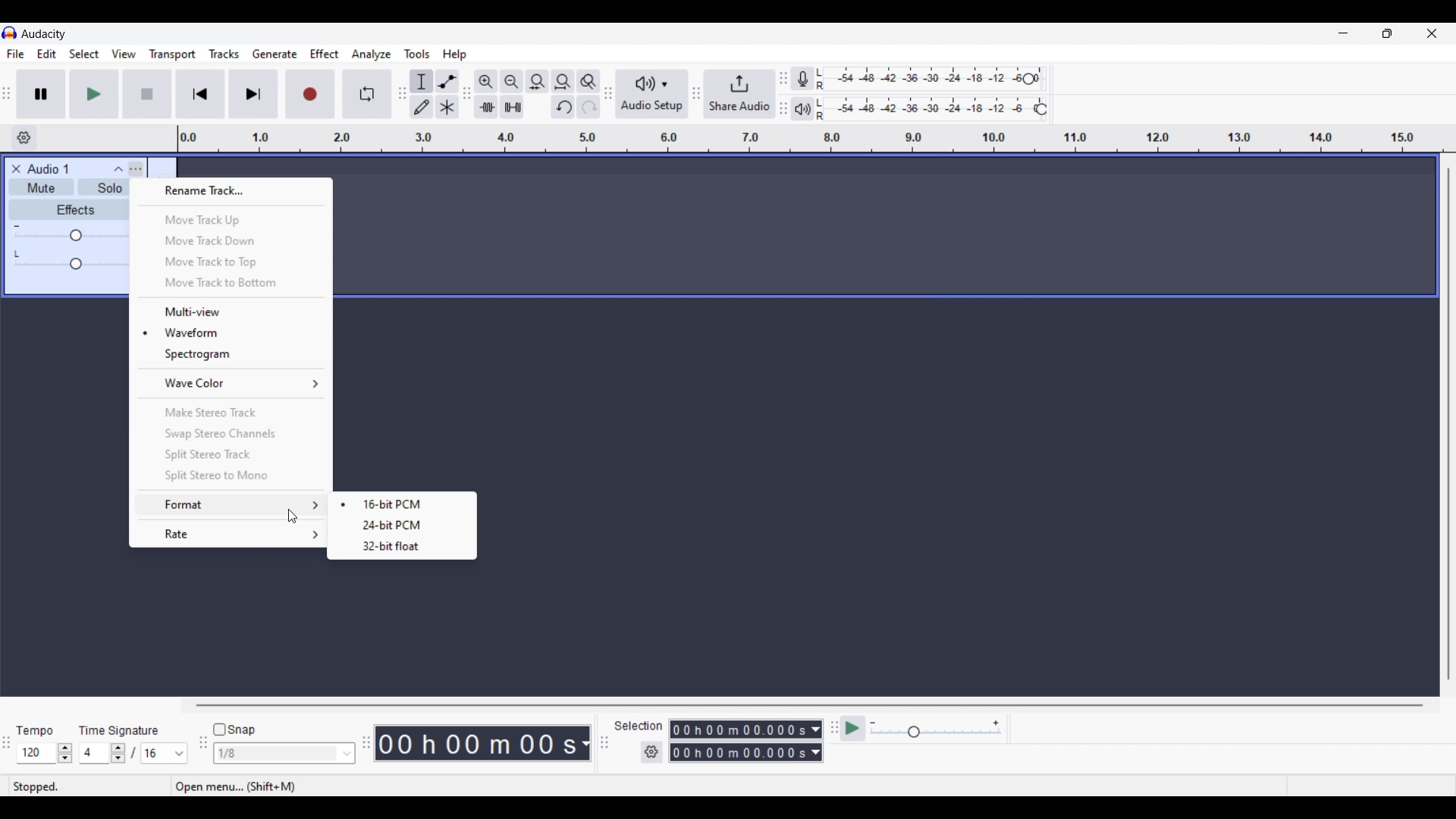 Image resolution: width=1456 pixels, height=819 pixels. I want to click on Decrease playback speed to minimum, so click(873, 723).